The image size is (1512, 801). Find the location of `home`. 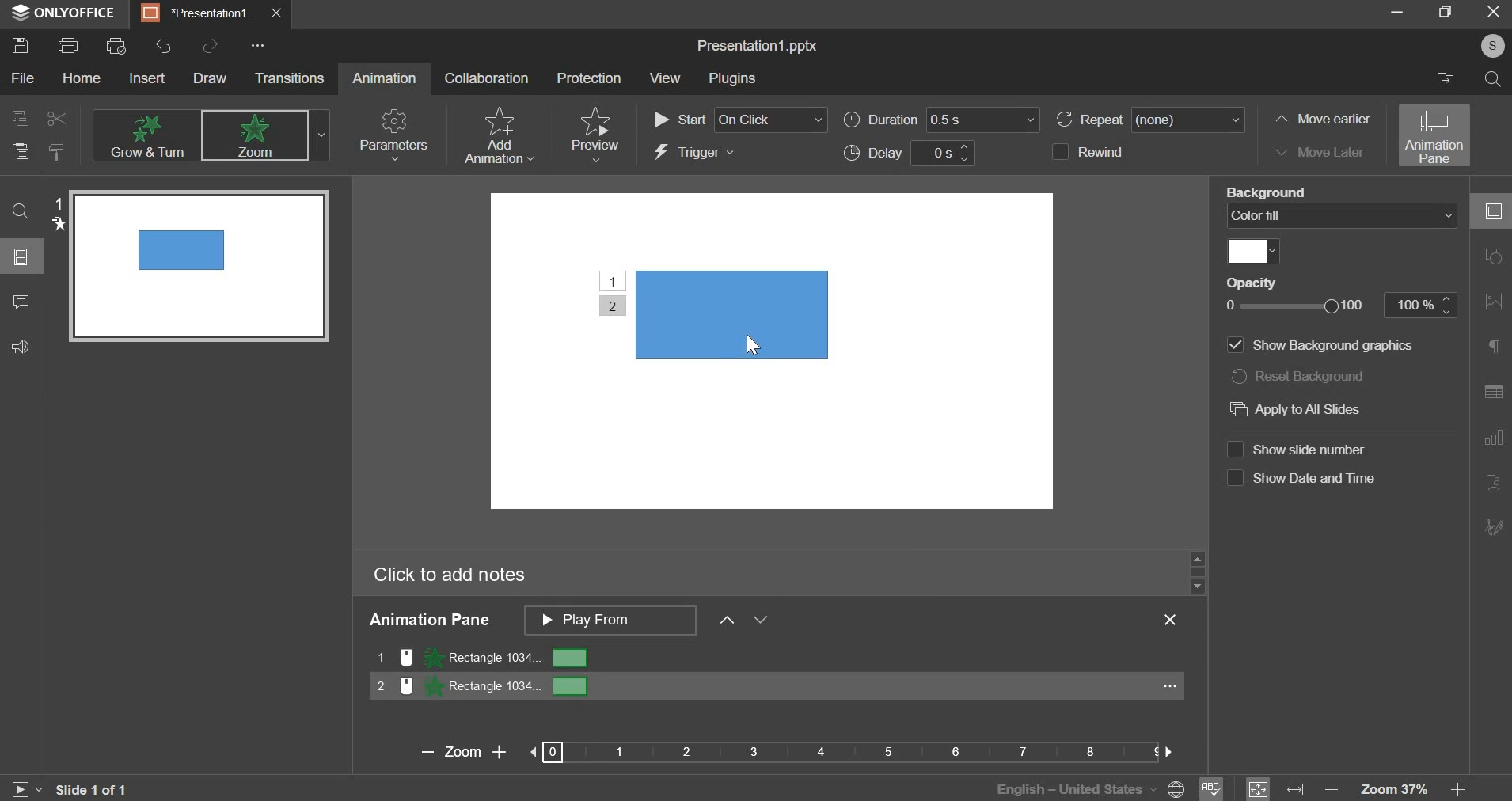

home is located at coordinates (78, 80).